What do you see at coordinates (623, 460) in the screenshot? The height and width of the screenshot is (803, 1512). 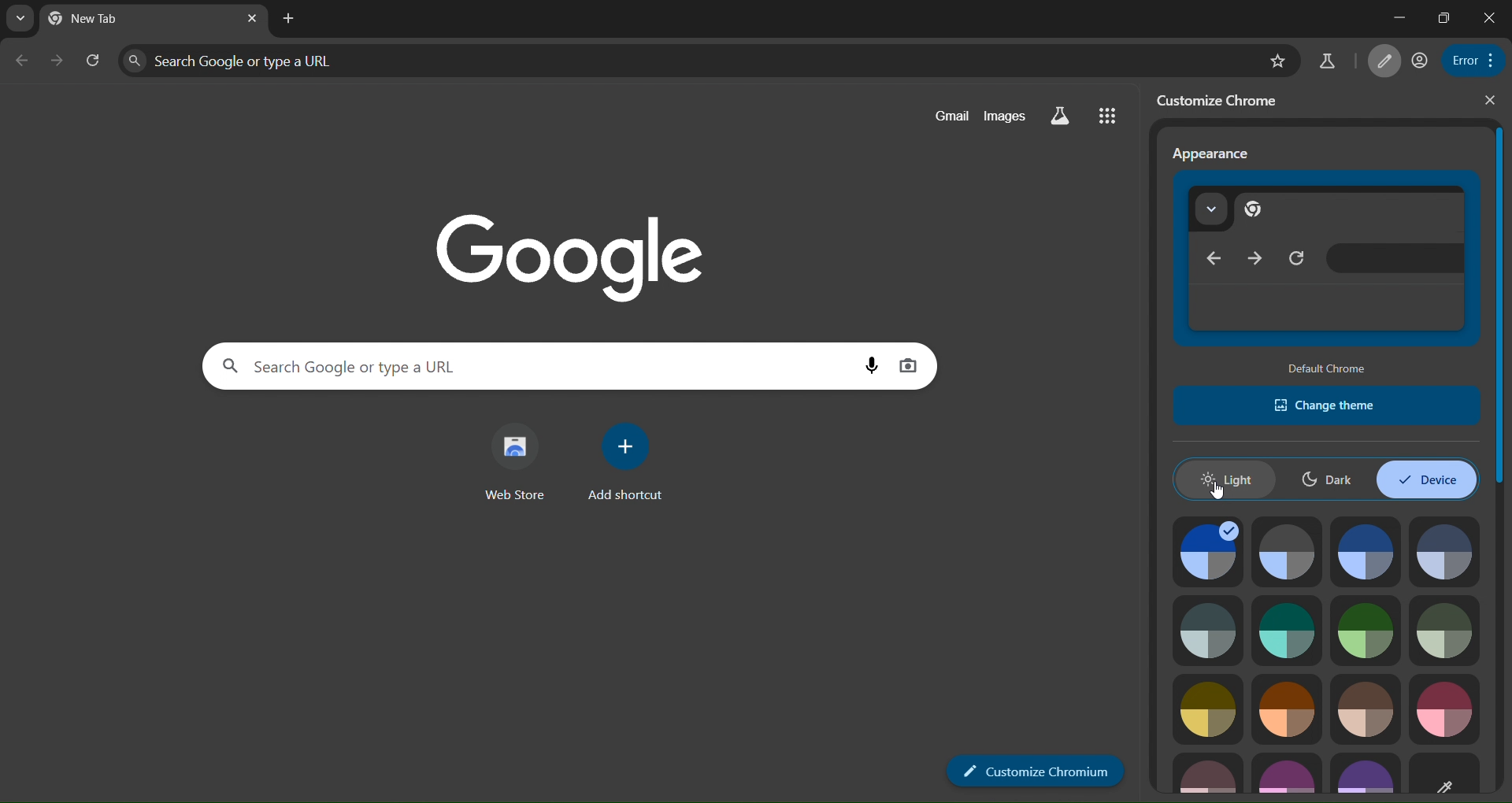 I see `add shortcut` at bounding box center [623, 460].